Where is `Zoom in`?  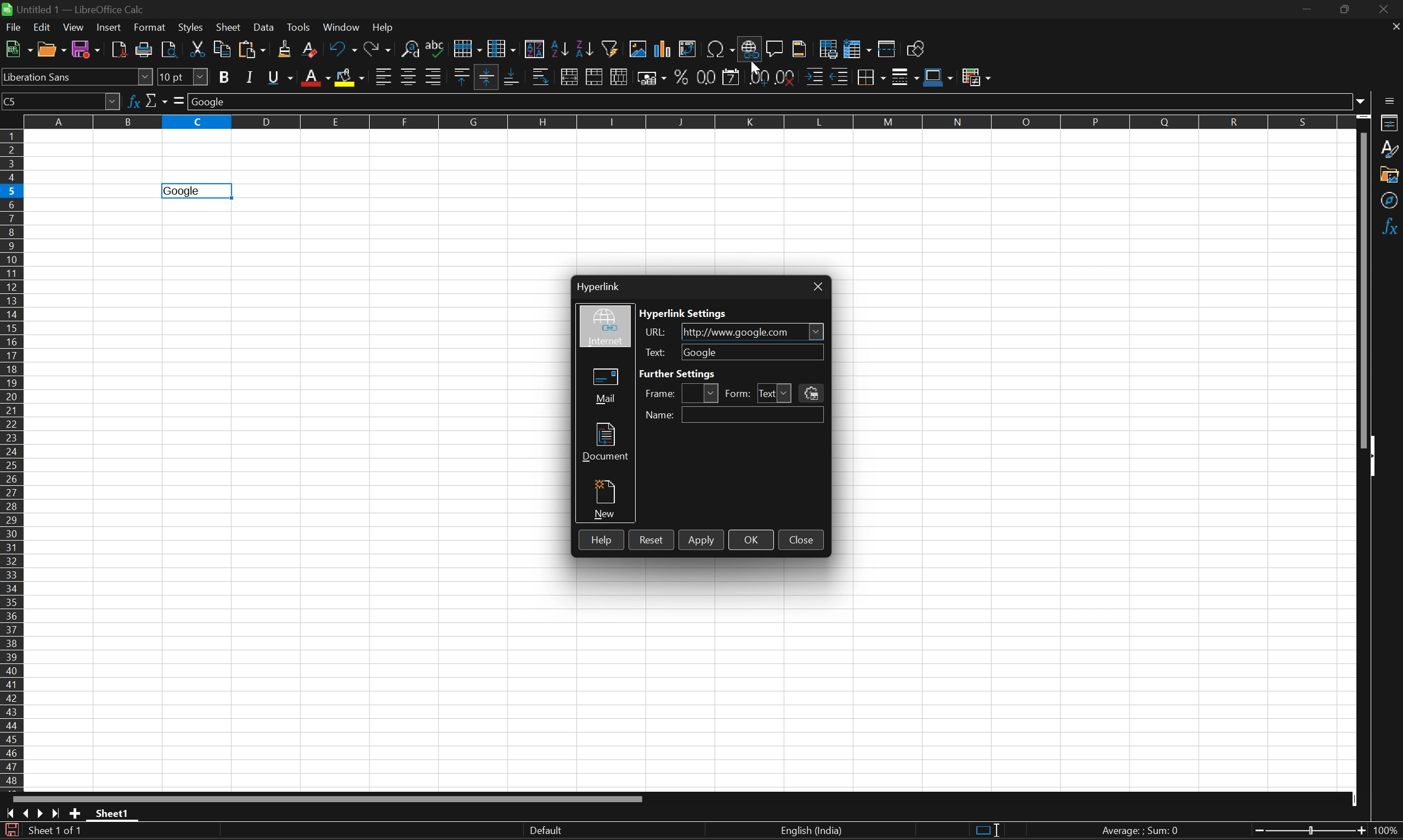
Zoom in is located at coordinates (1254, 832).